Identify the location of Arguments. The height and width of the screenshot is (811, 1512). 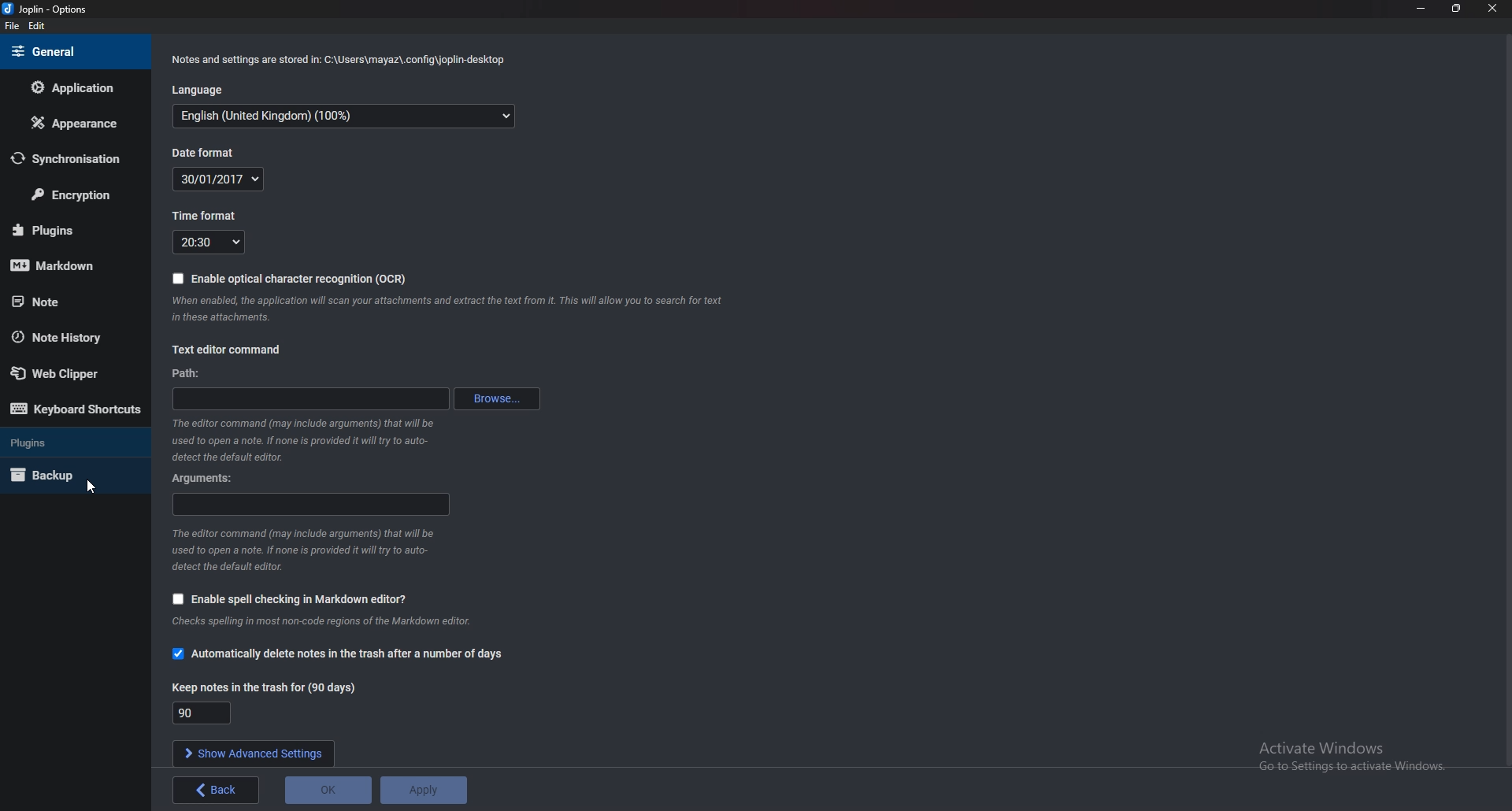
(310, 503).